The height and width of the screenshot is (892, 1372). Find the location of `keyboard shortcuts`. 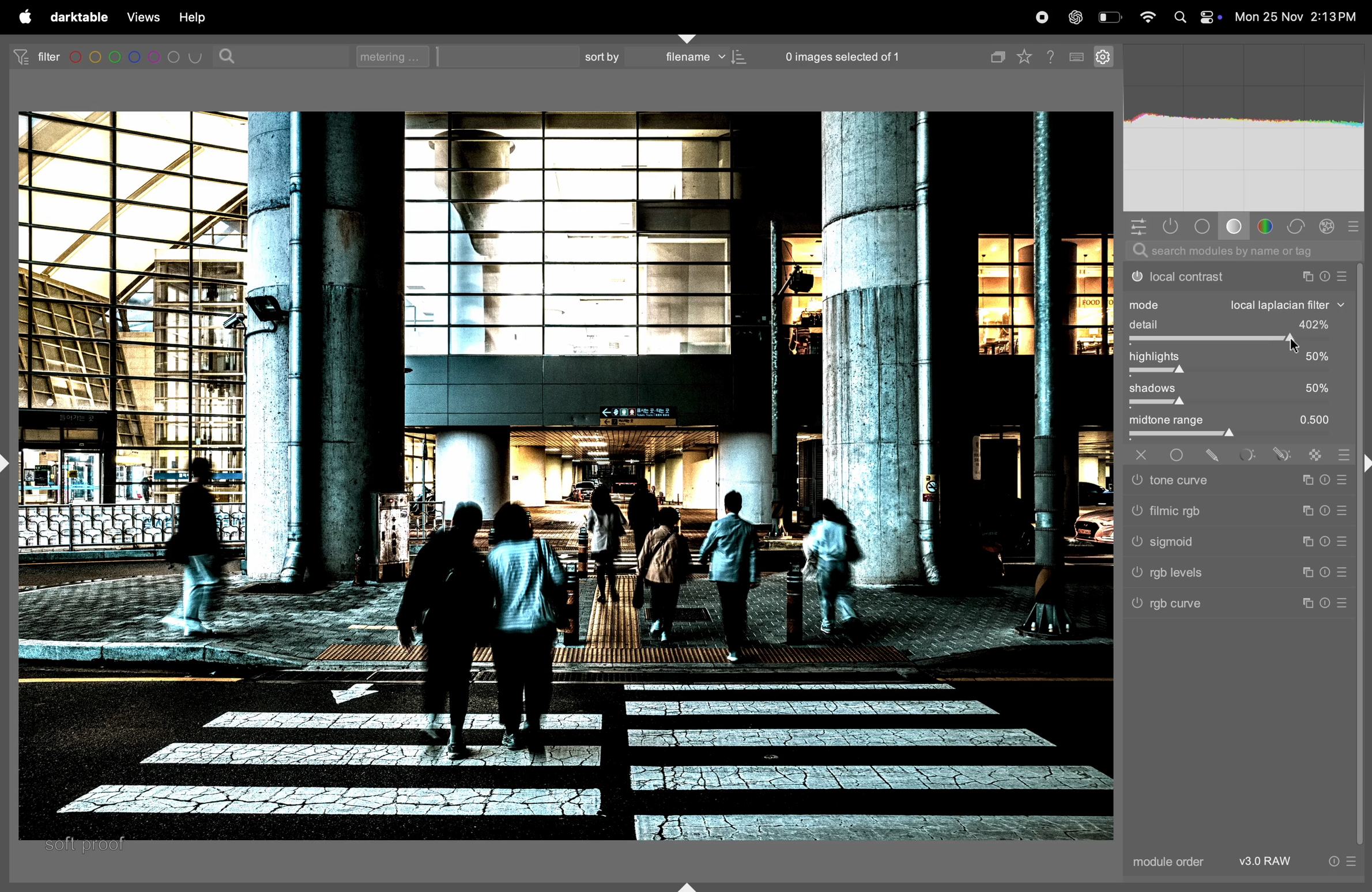

keyboard shortcuts is located at coordinates (1077, 58).